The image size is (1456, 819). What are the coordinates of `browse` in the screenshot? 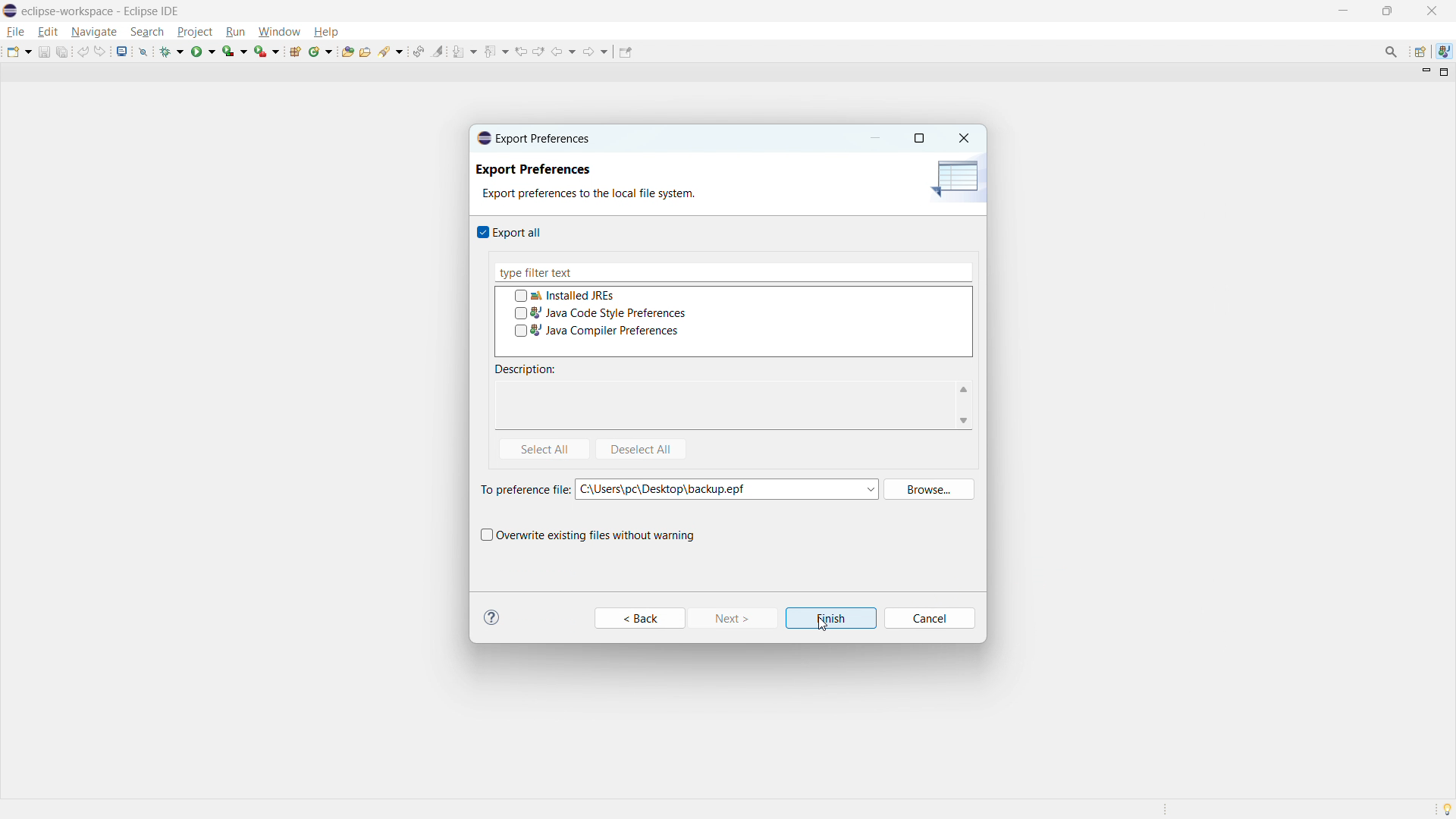 It's located at (929, 490).